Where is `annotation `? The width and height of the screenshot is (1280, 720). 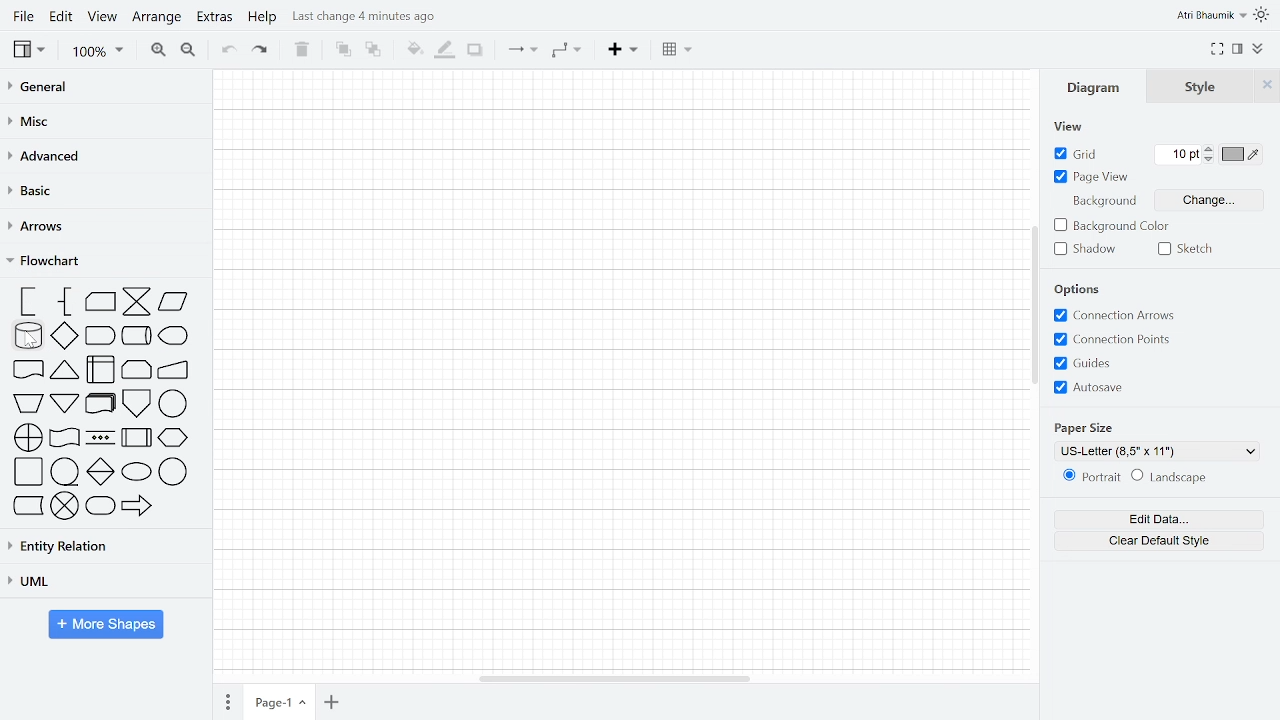
annotation  is located at coordinates (26, 302).